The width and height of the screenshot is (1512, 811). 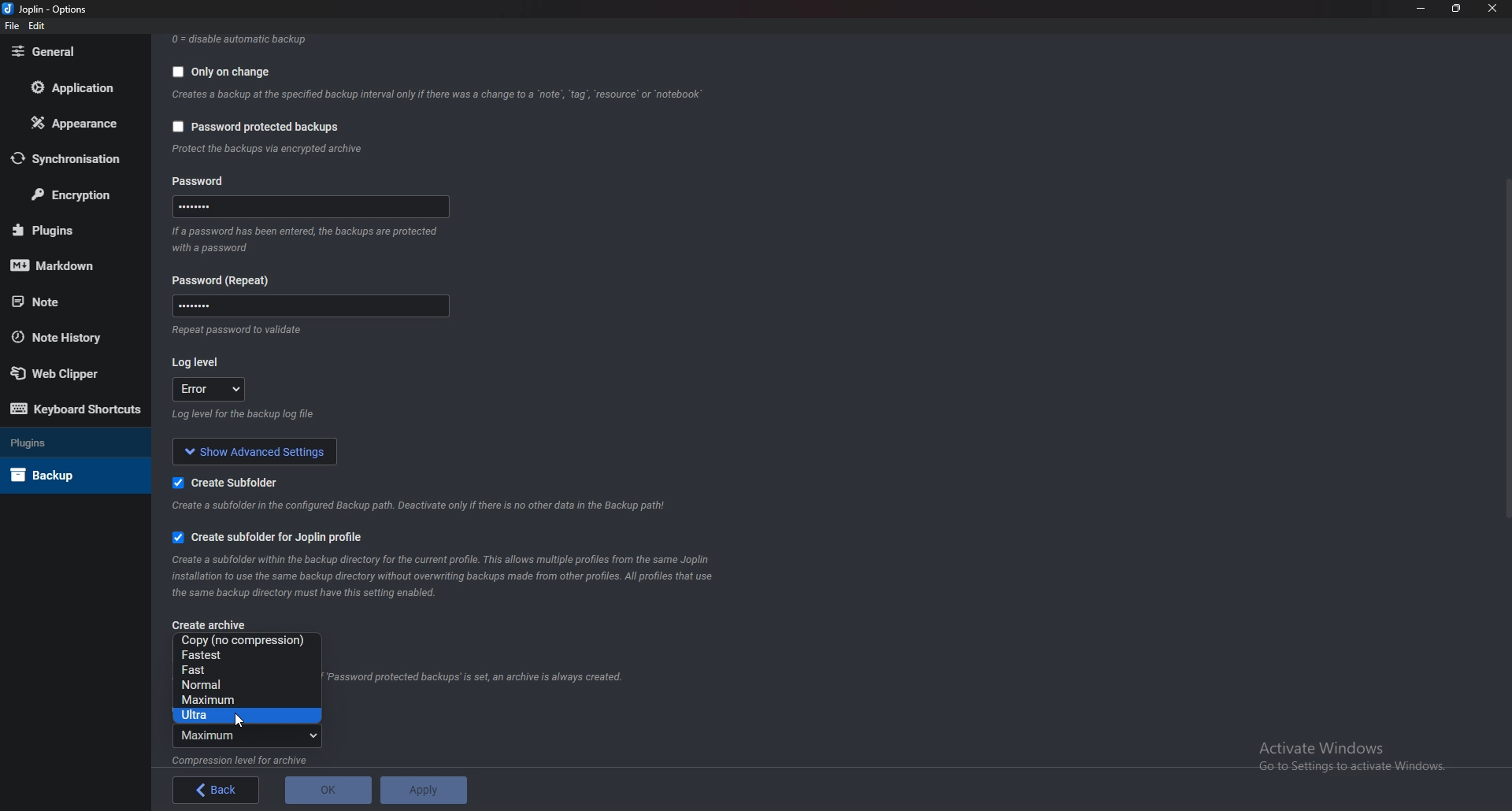 I want to click on show advanced settings, so click(x=250, y=450).